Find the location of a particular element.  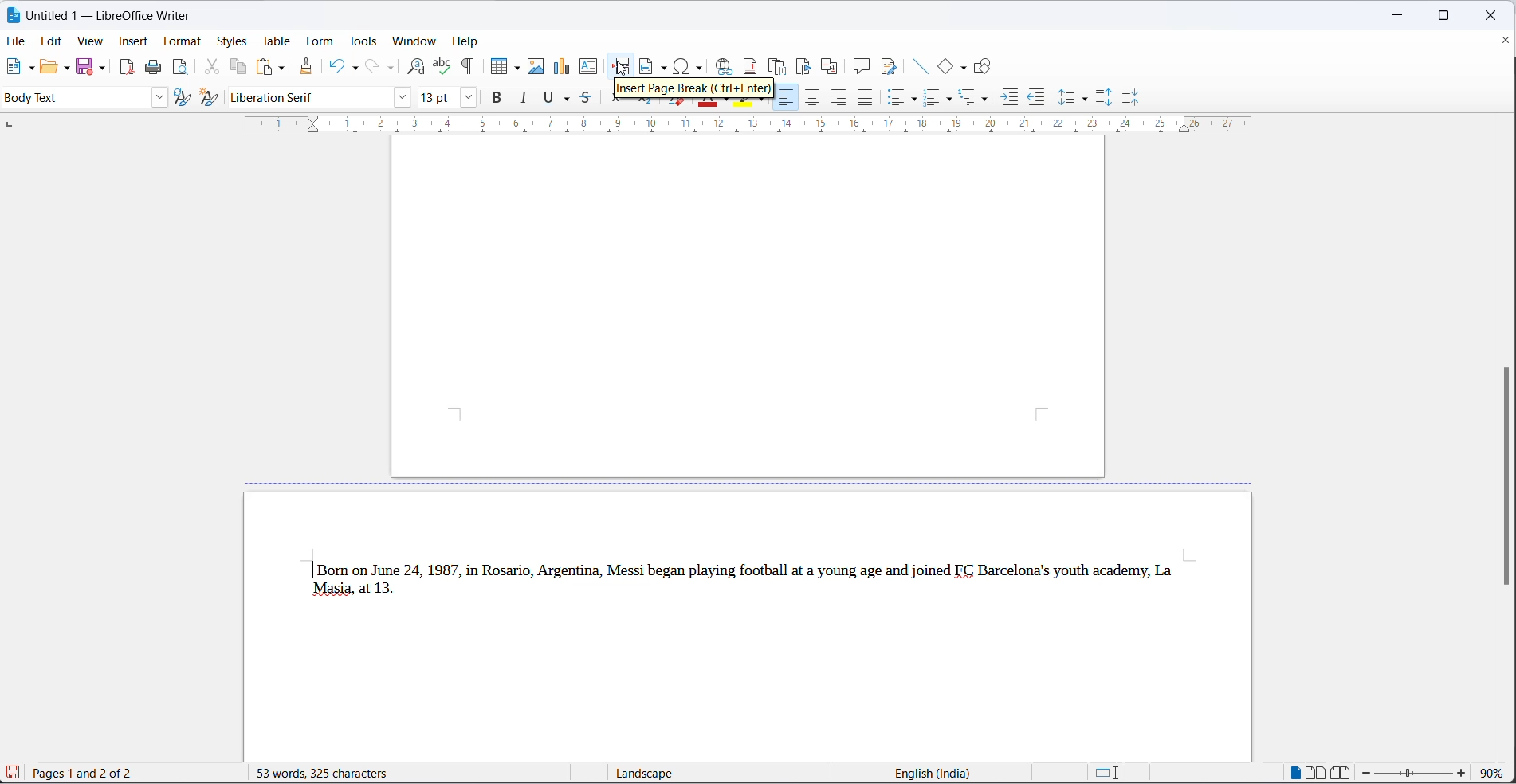

window is located at coordinates (413, 39).